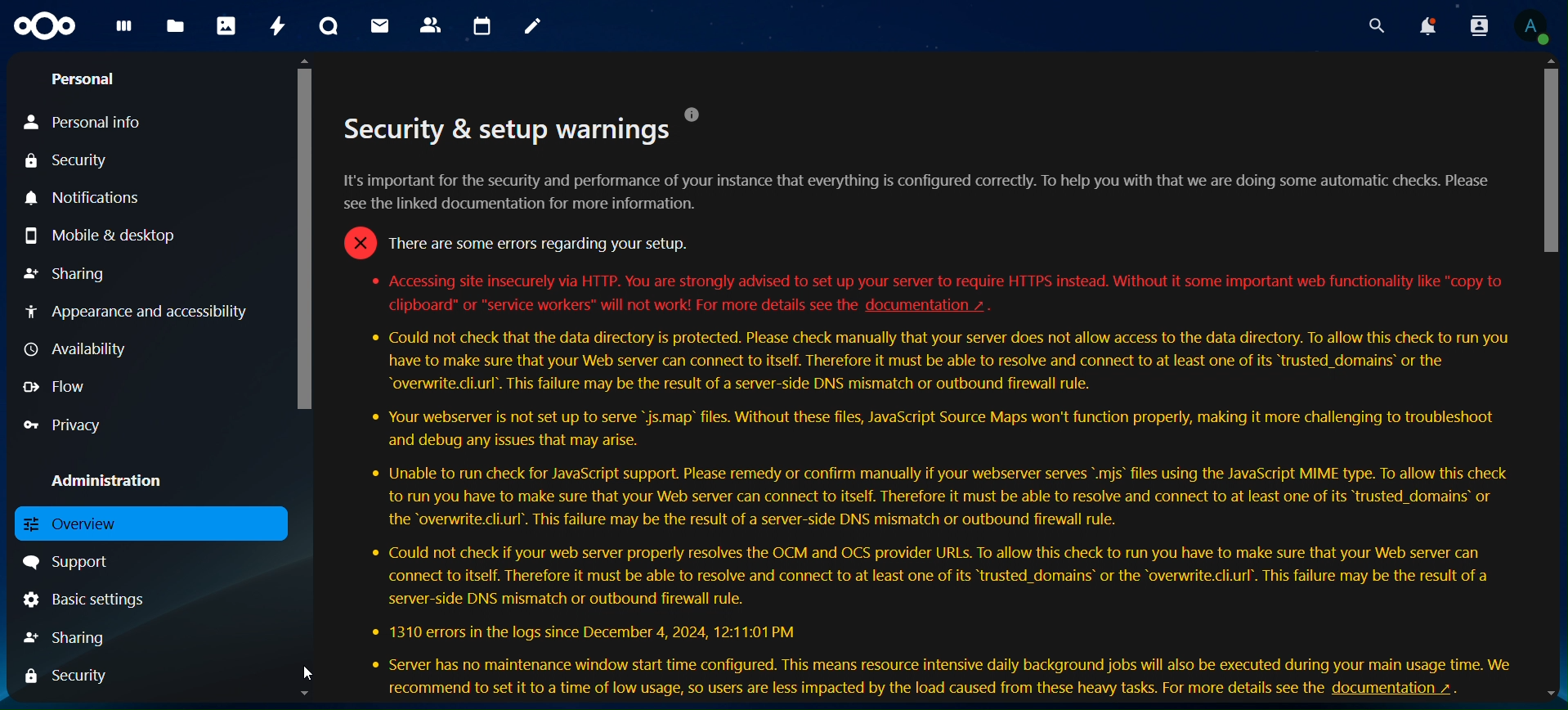 The width and height of the screenshot is (1568, 710). What do you see at coordinates (174, 26) in the screenshot?
I see `files` at bounding box center [174, 26].